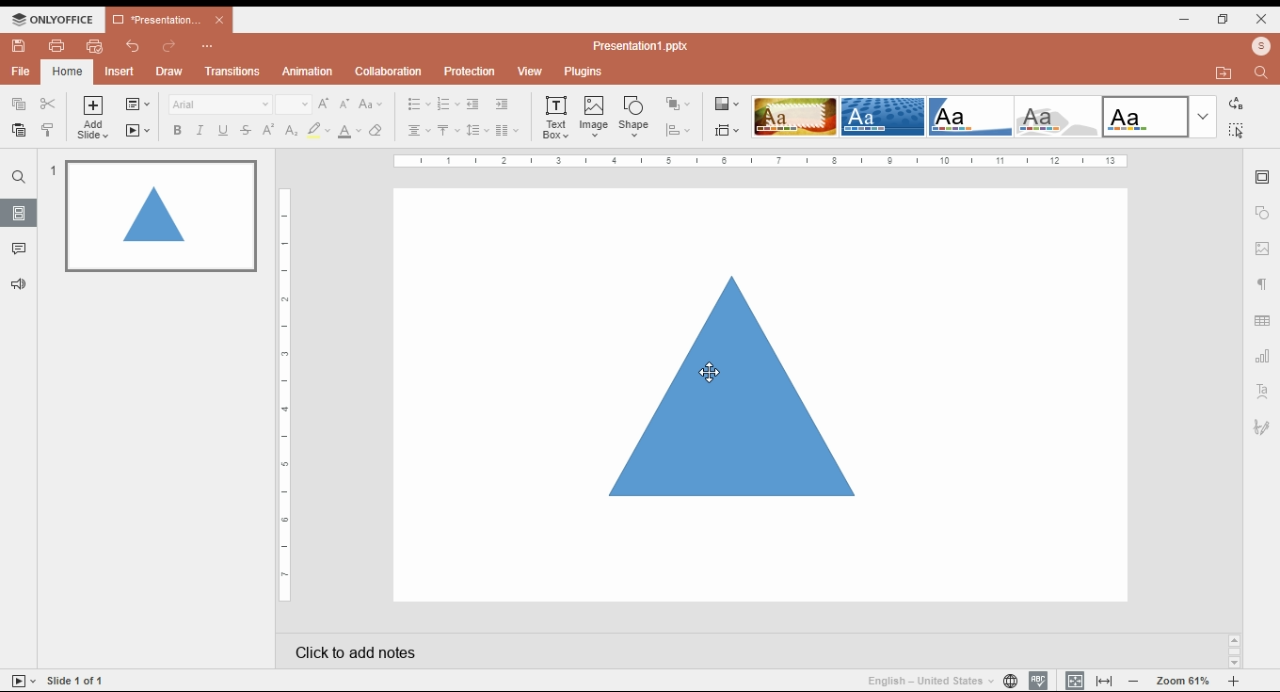 The width and height of the screenshot is (1280, 692). What do you see at coordinates (1260, 73) in the screenshot?
I see `find` at bounding box center [1260, 73].